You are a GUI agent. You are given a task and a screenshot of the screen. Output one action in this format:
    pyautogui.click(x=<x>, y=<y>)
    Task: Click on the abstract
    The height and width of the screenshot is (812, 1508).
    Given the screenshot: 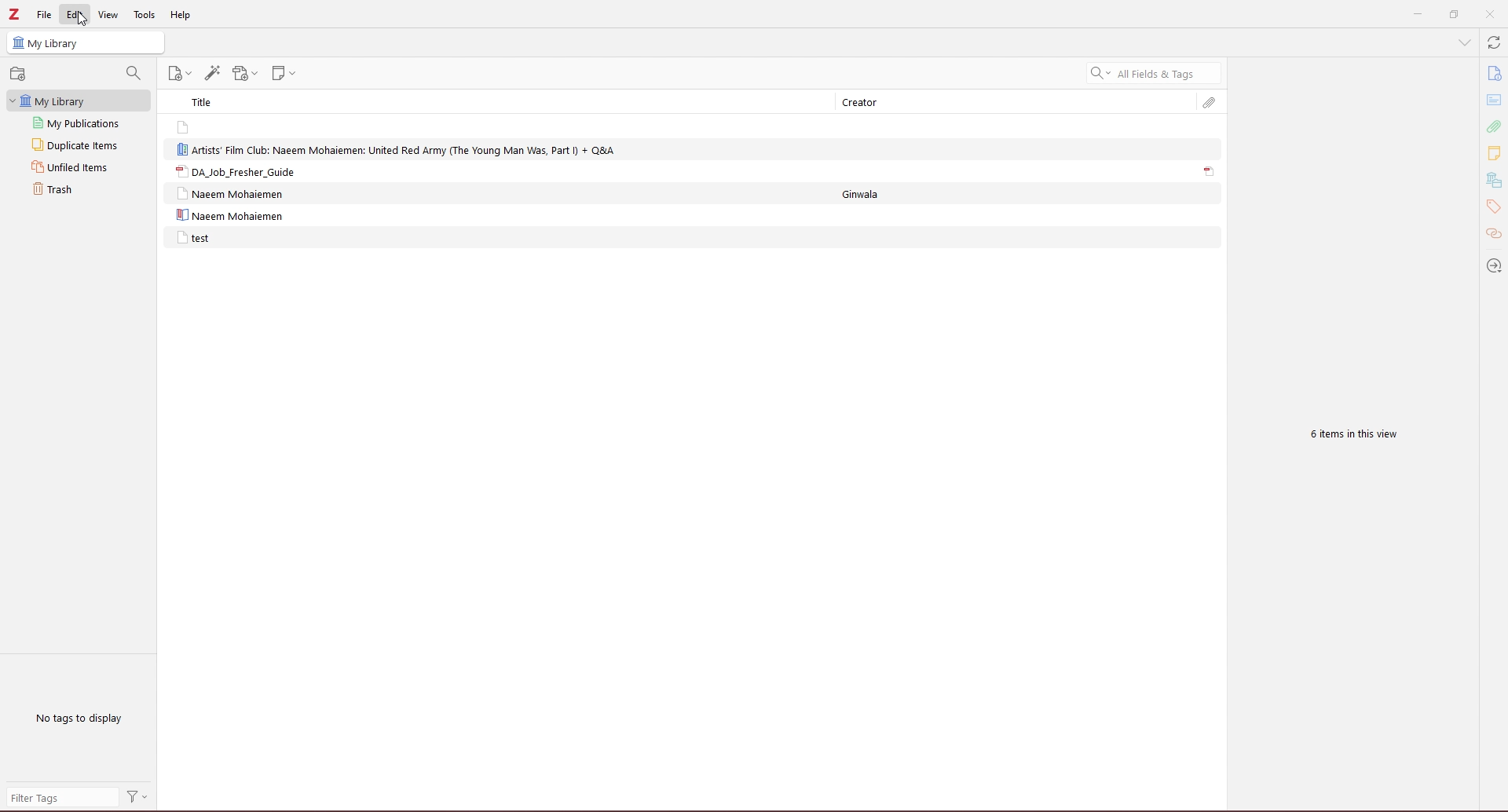 What is the action you would take?
    pyautogui.click(x=1495, y=101)
    